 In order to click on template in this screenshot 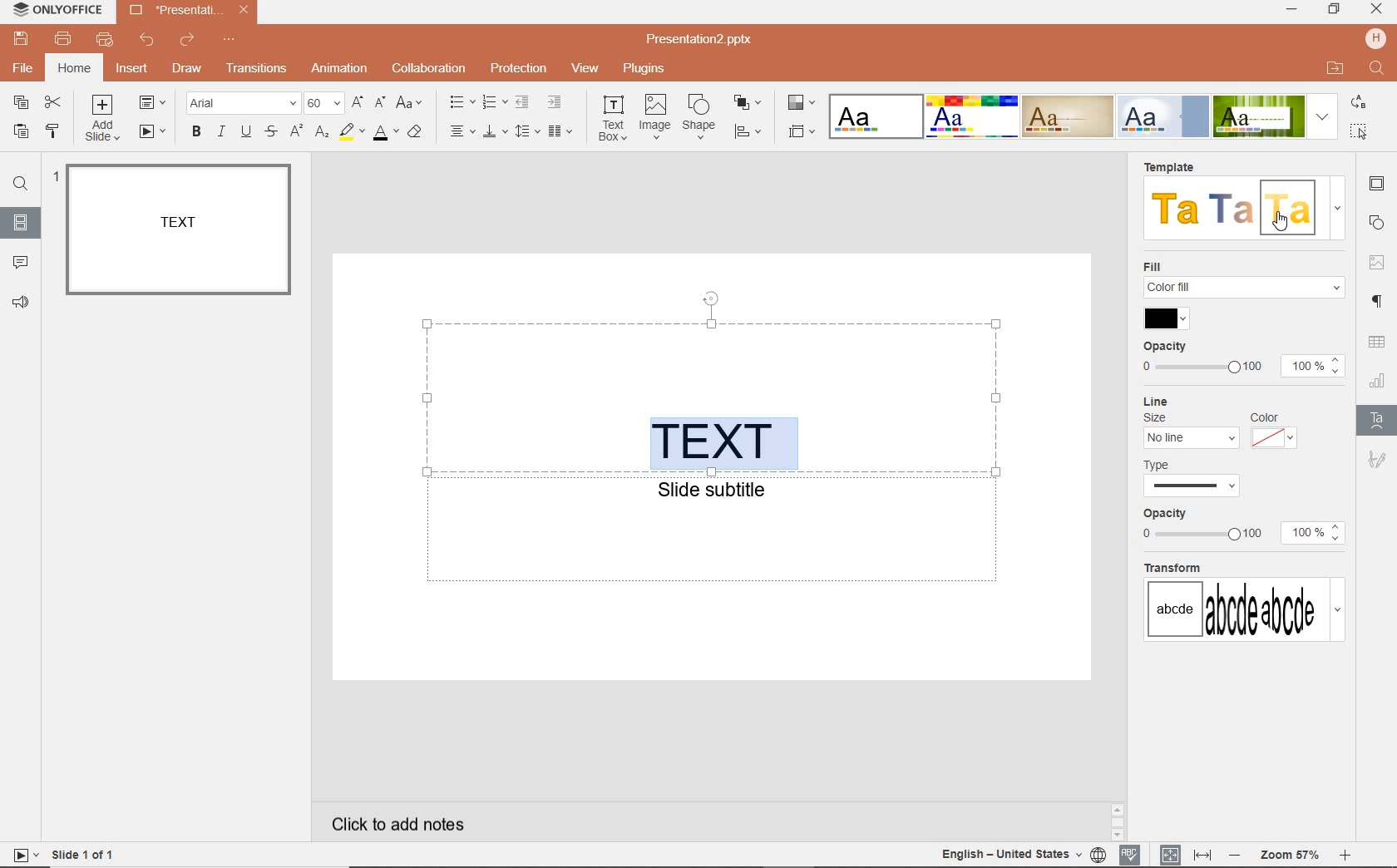, I will do `click(1286, 209)`.